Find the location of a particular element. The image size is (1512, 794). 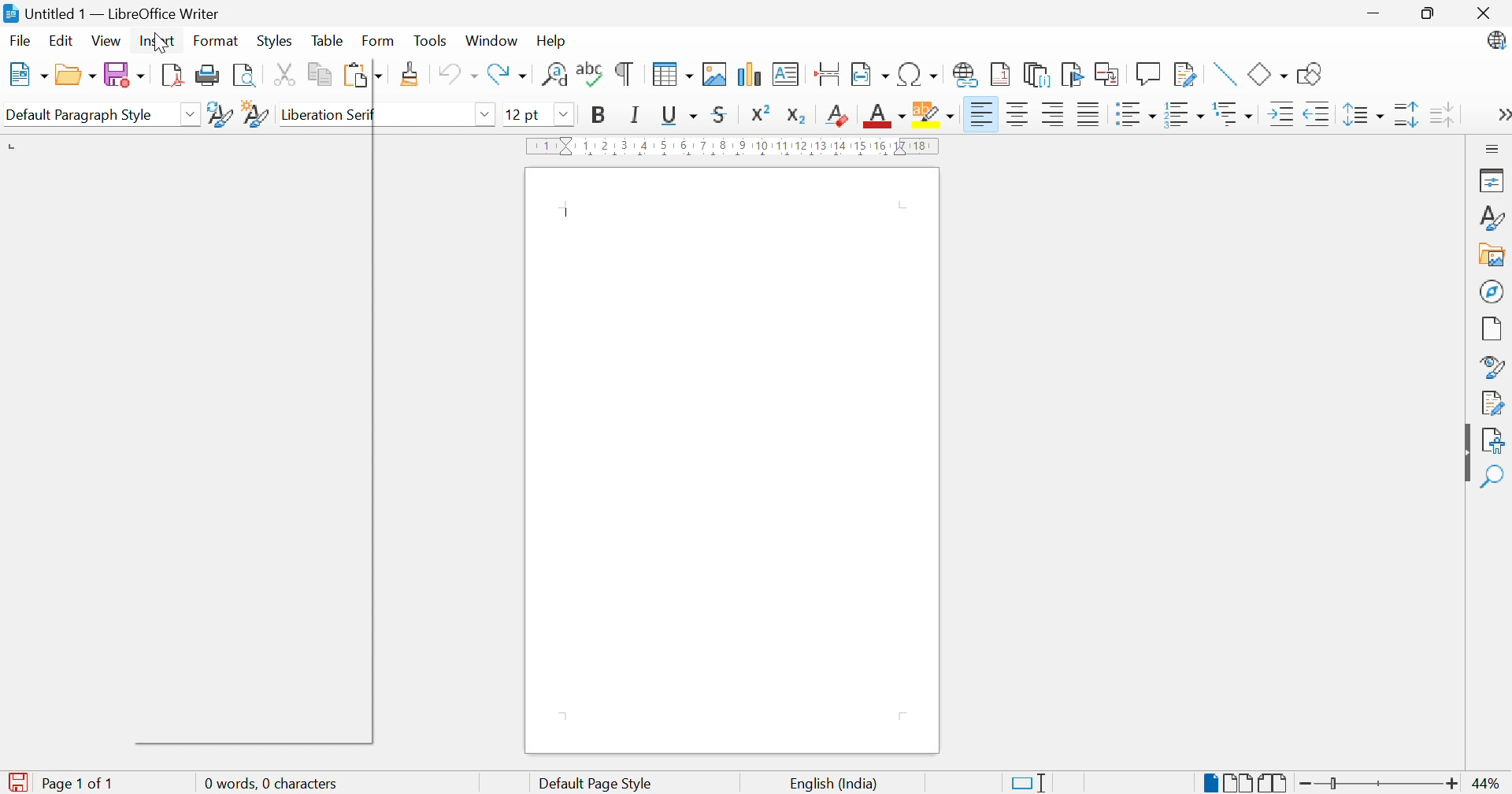

View is located at coordinates (106, 42).